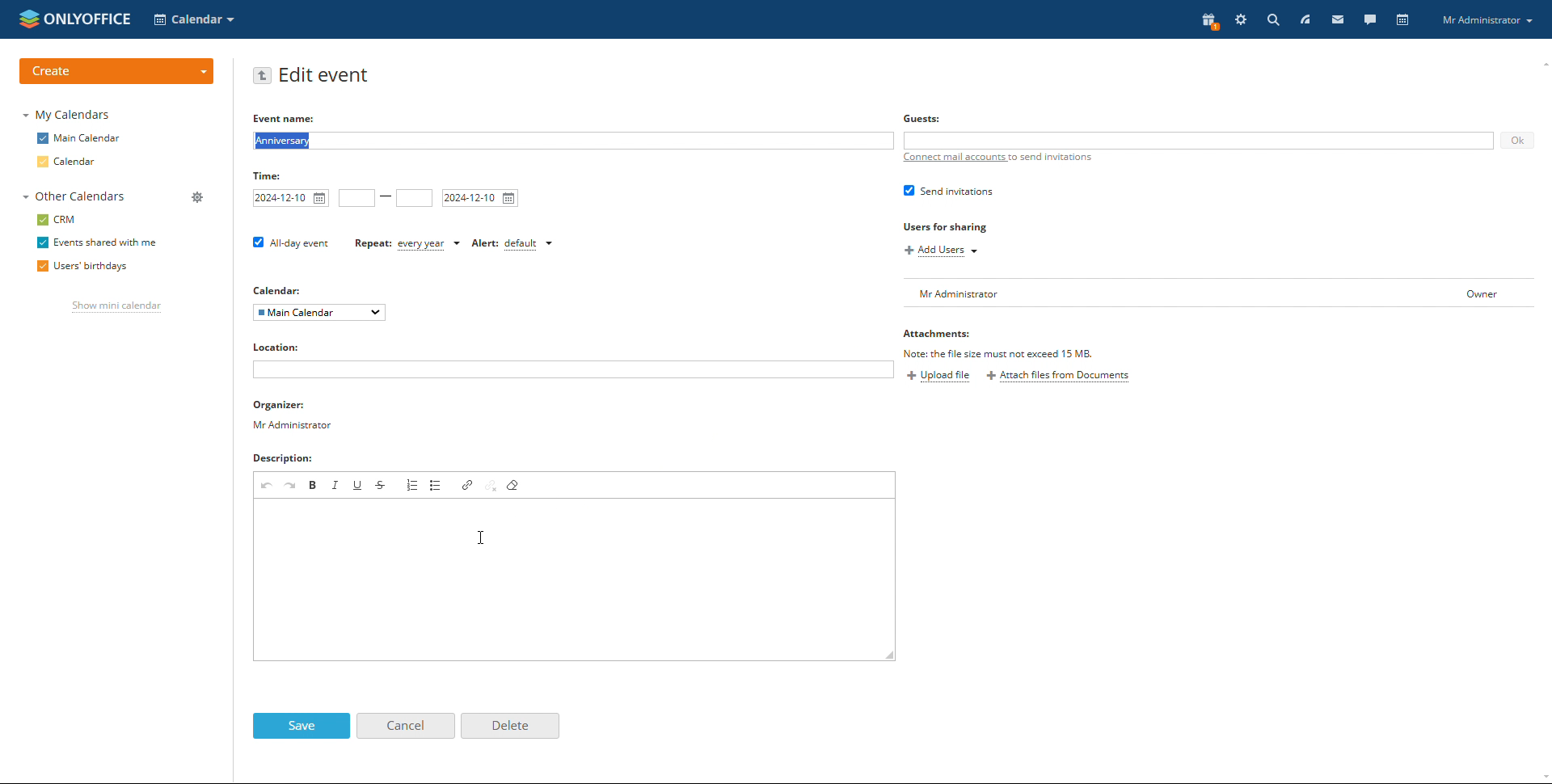 Image resolution: width=1552 pixels, height=784 pixels. I want to click on , so click(576, 580).